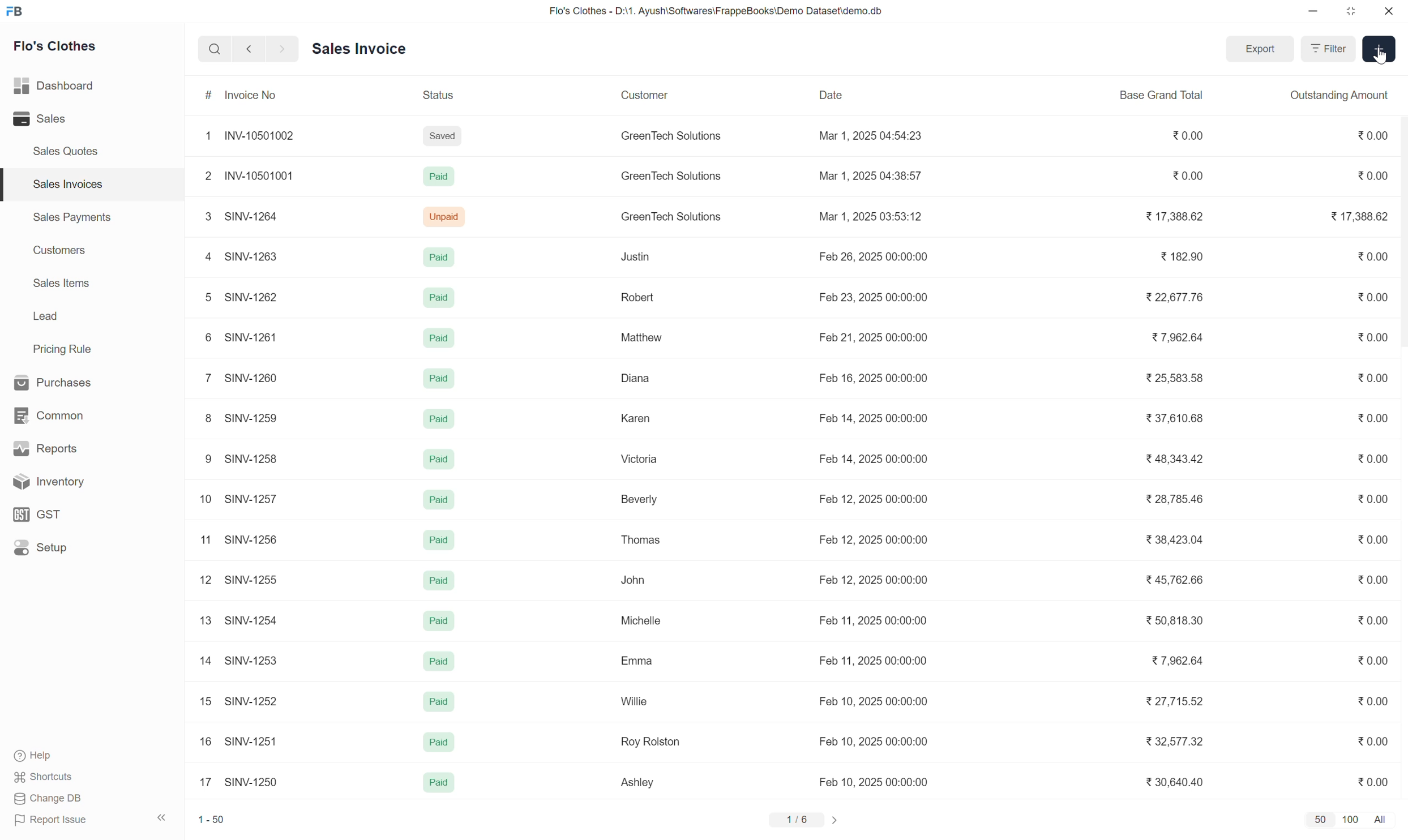 Image resolution: width=1408 pixels, height=840 pixels. I want to click on Paid, so click(435, 300).